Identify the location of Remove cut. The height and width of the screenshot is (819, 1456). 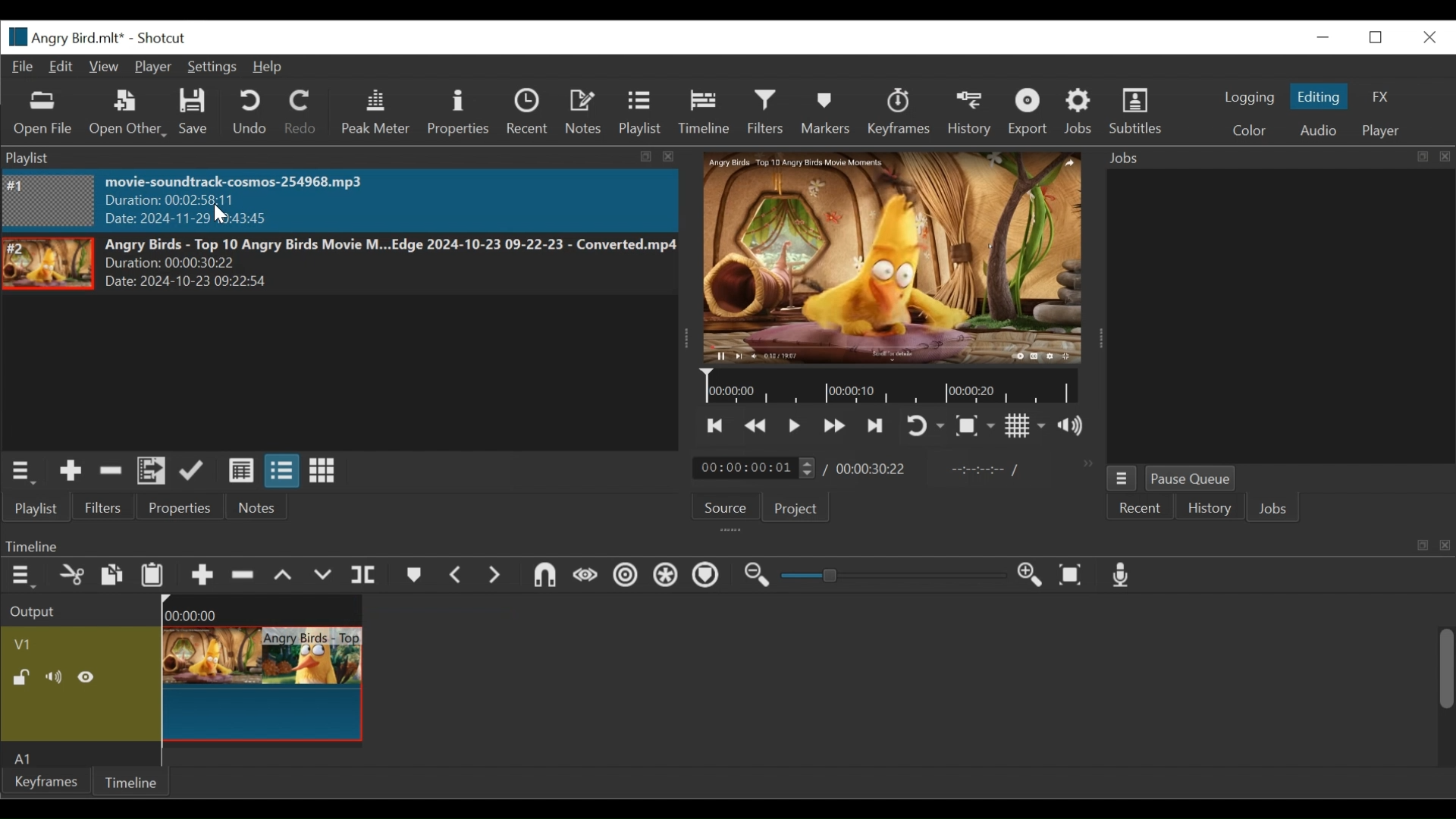
(111, 472).